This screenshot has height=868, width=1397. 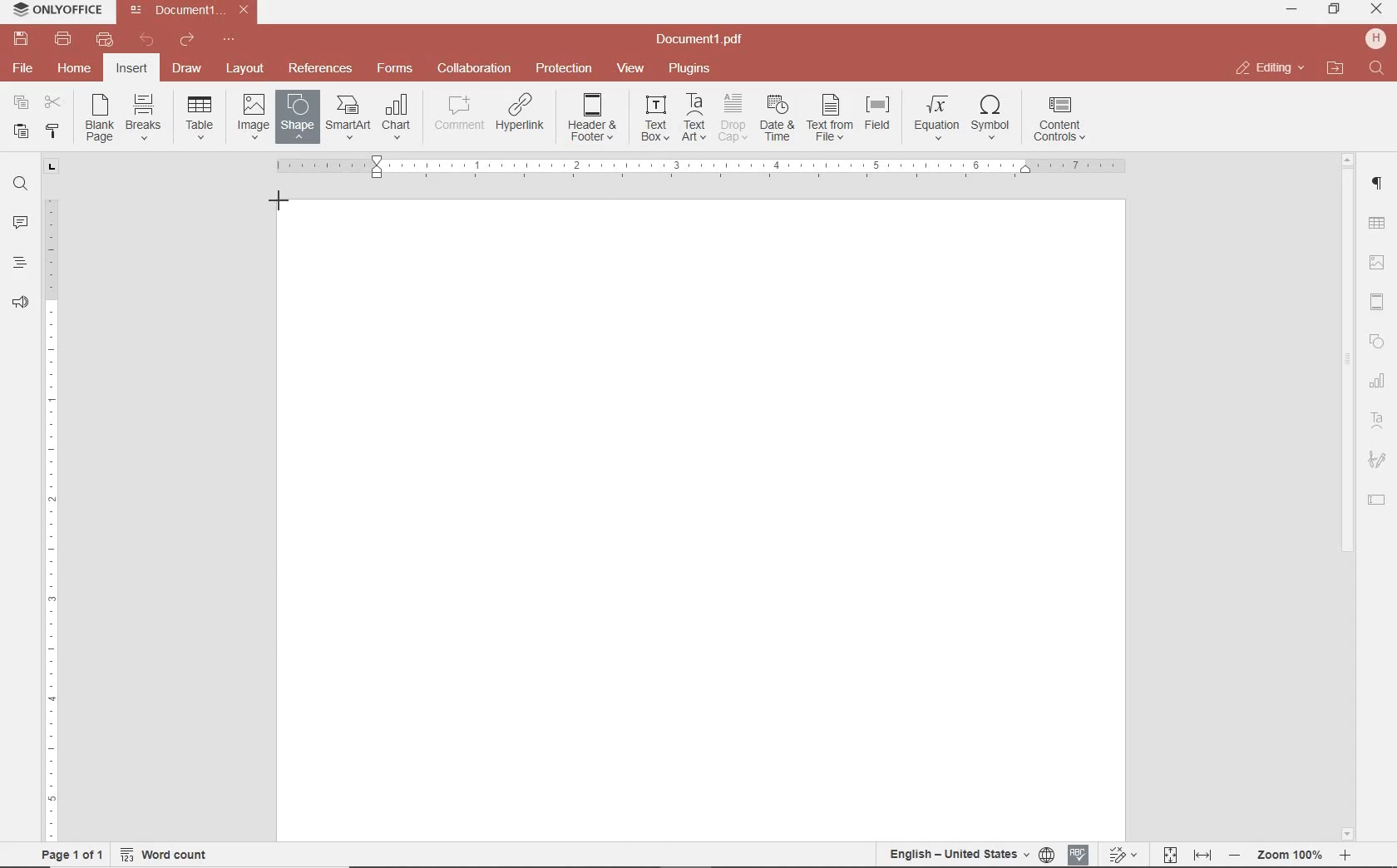 I want to click on customize quick access toolbar, so click(x=229, y=40).